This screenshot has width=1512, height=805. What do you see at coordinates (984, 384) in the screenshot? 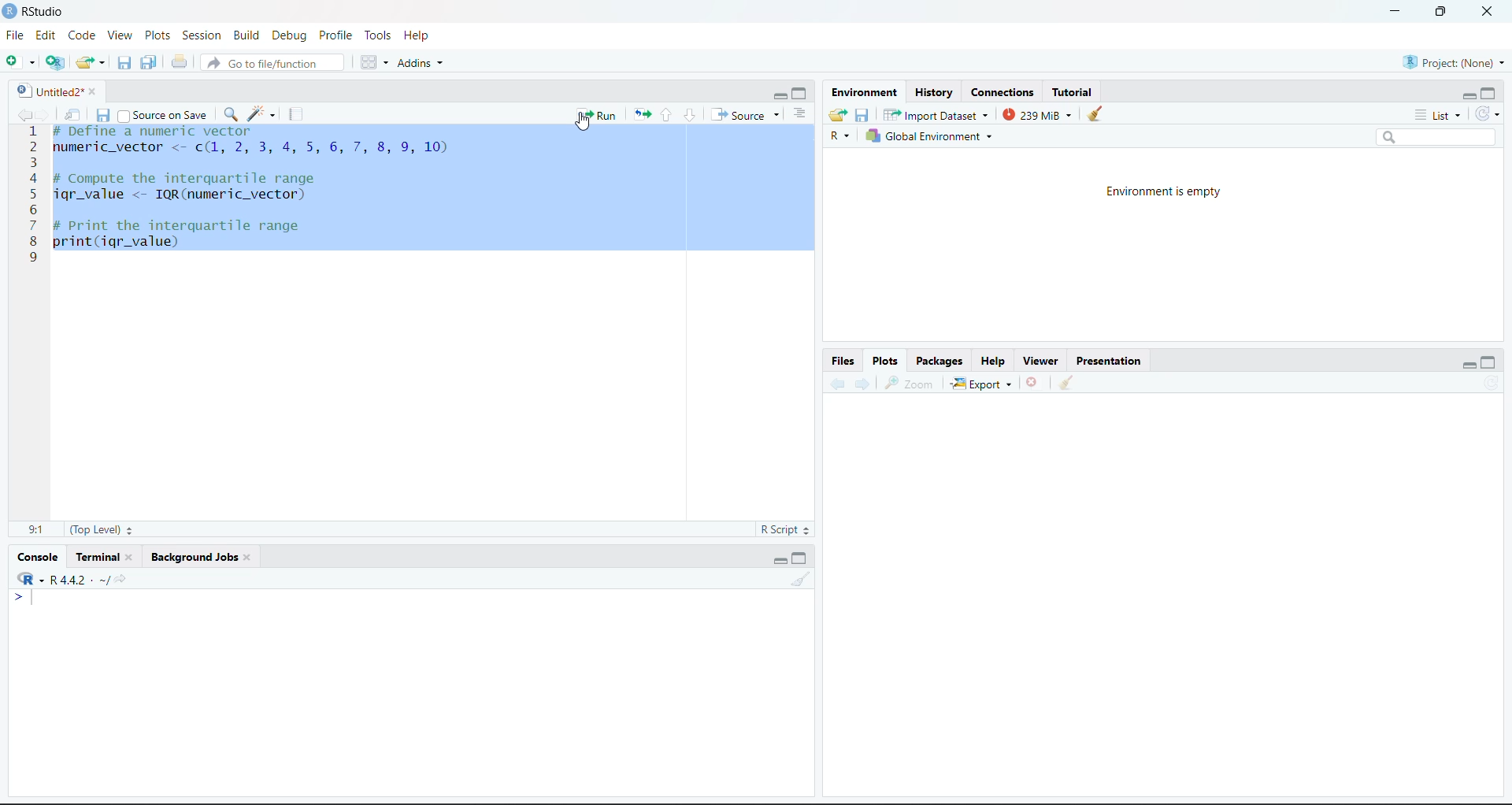
I see `Export` at bounding box center [984, 384].